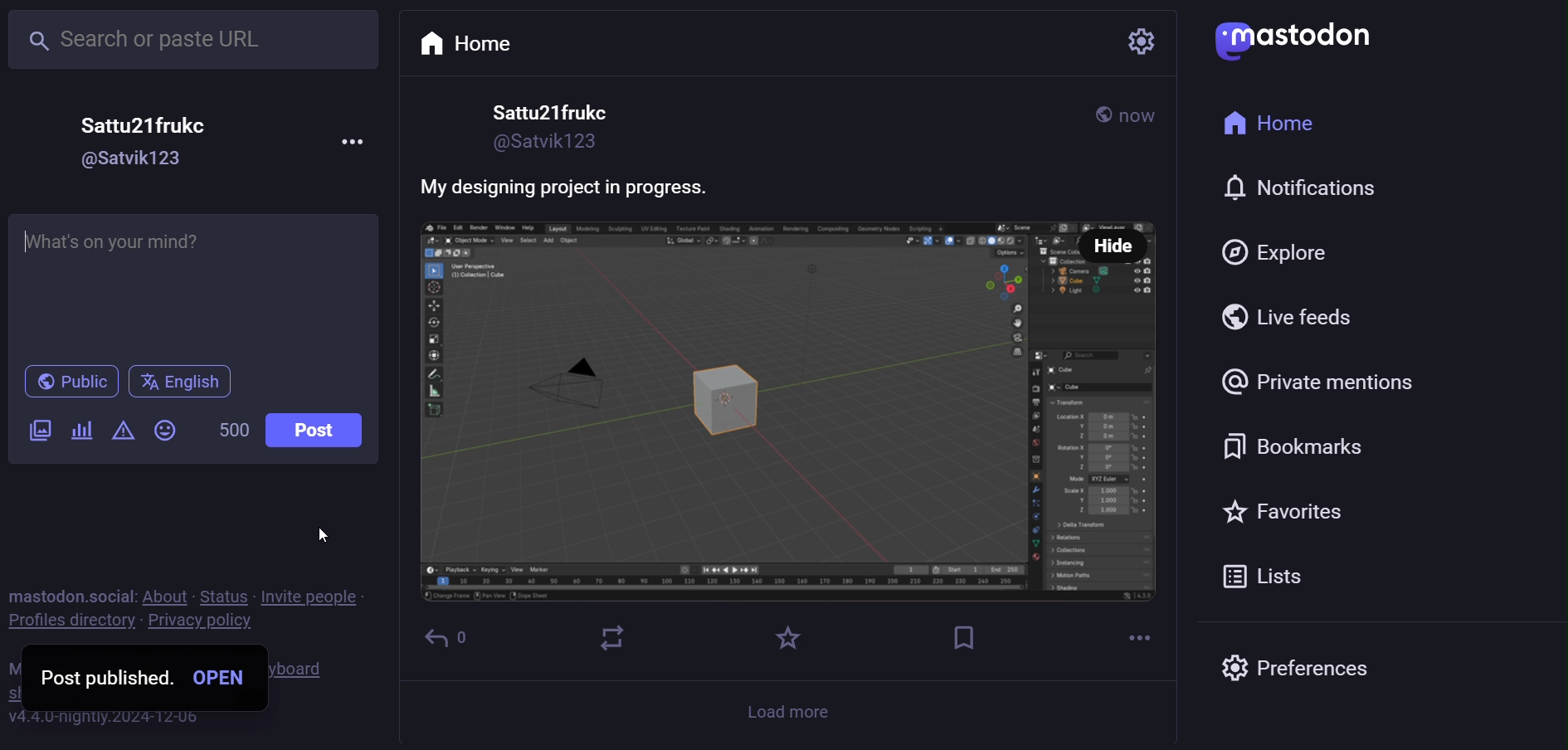 Image resolution: width=1568 pixels, height=750 pixels. What do you see at coordinates (197, 626) in the screenshot?
I see `privacy` at bounding box center [197, 626].